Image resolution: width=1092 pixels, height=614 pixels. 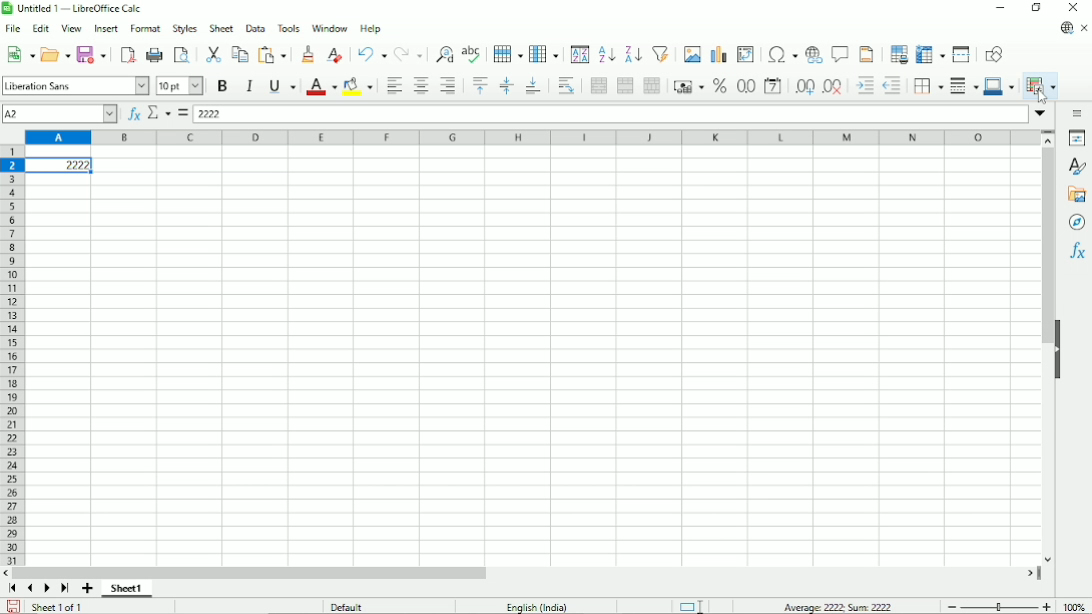 I want to click on Font size, so click(x=180, y=87).